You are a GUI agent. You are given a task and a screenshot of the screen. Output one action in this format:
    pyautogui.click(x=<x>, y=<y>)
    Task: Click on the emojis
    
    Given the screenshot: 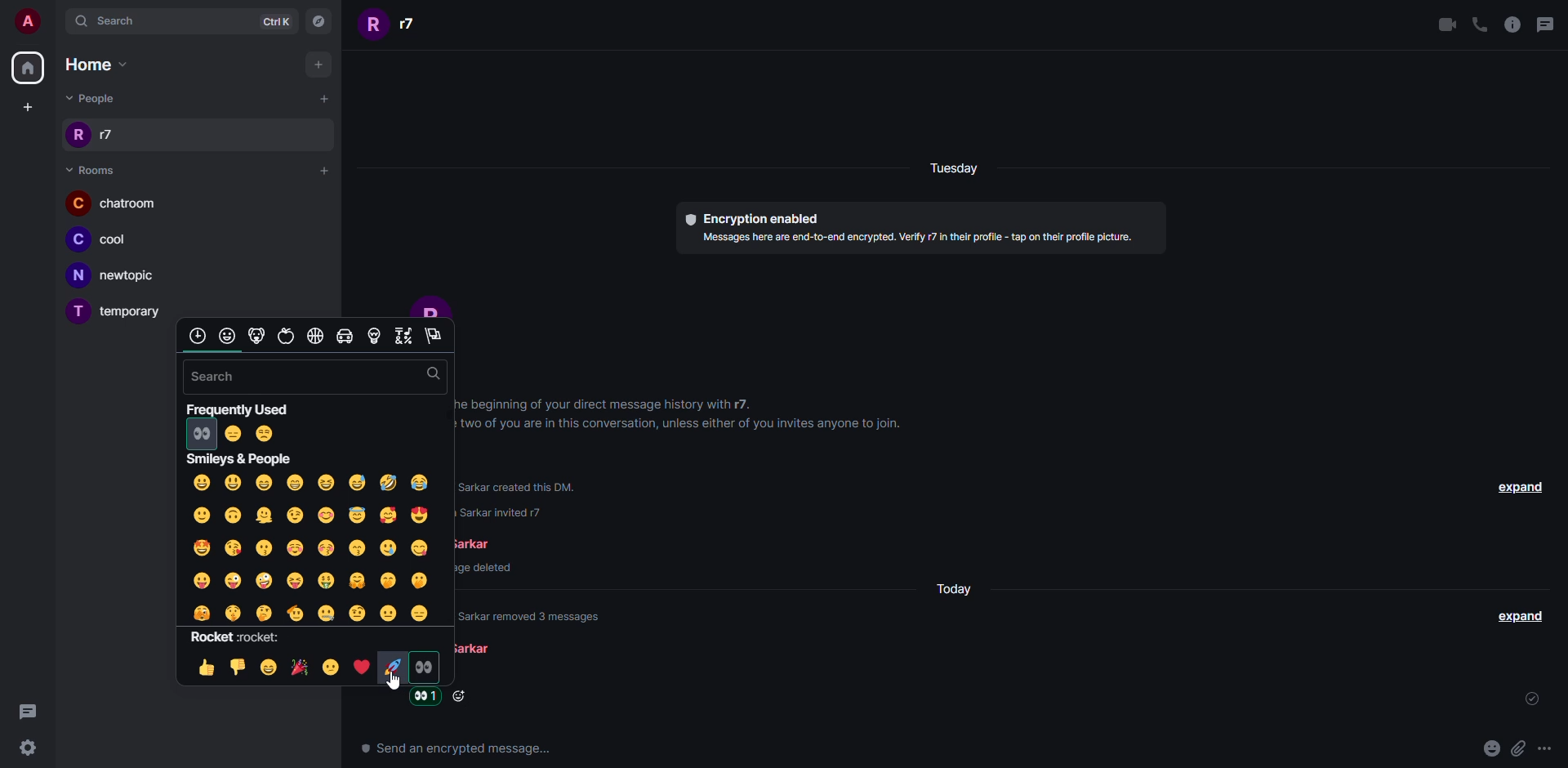 What is the action you would take?
    pyautogui.click(x=316, y=549)
    